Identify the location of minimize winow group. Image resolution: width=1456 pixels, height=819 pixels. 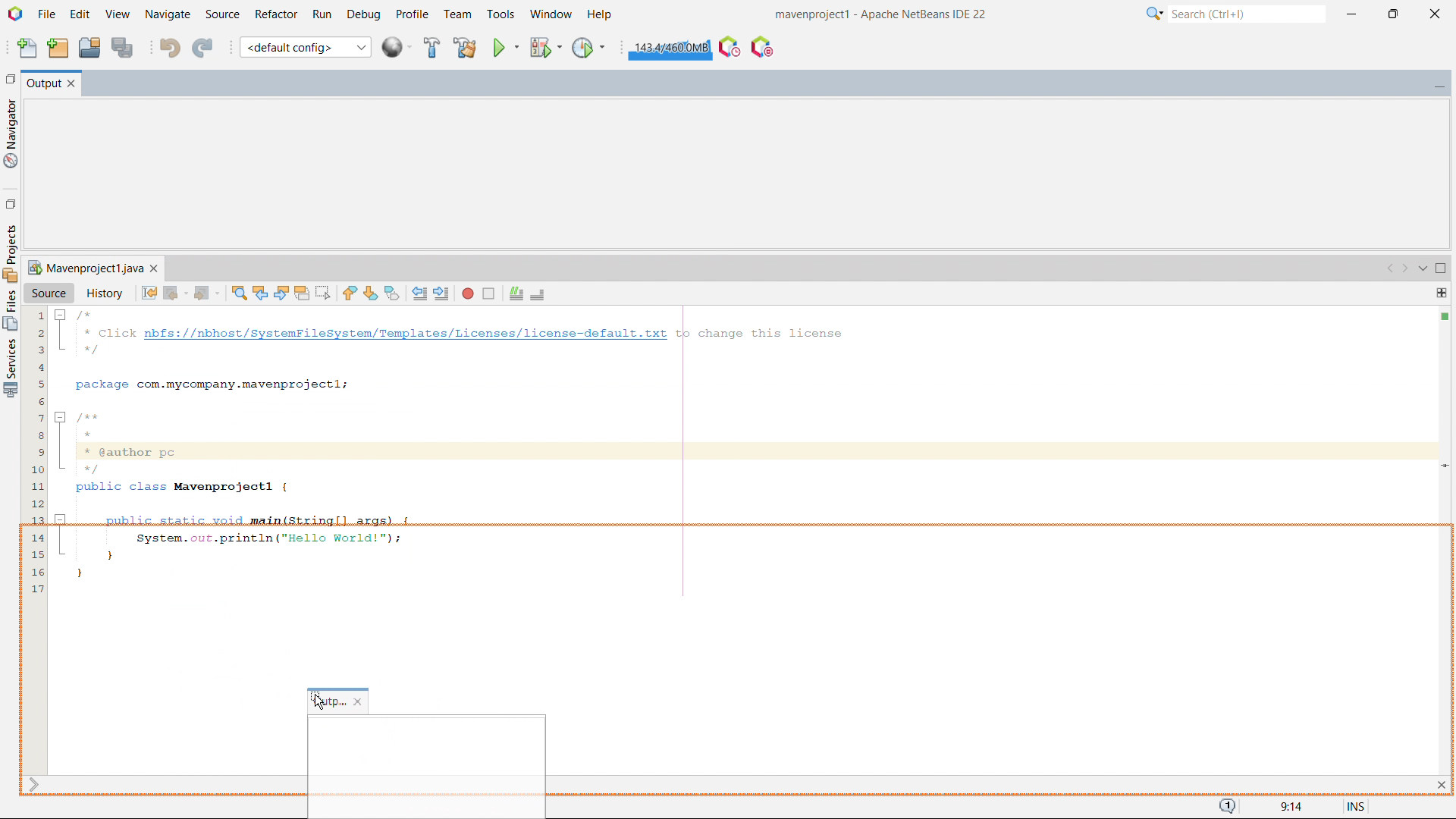
(1439, 84).